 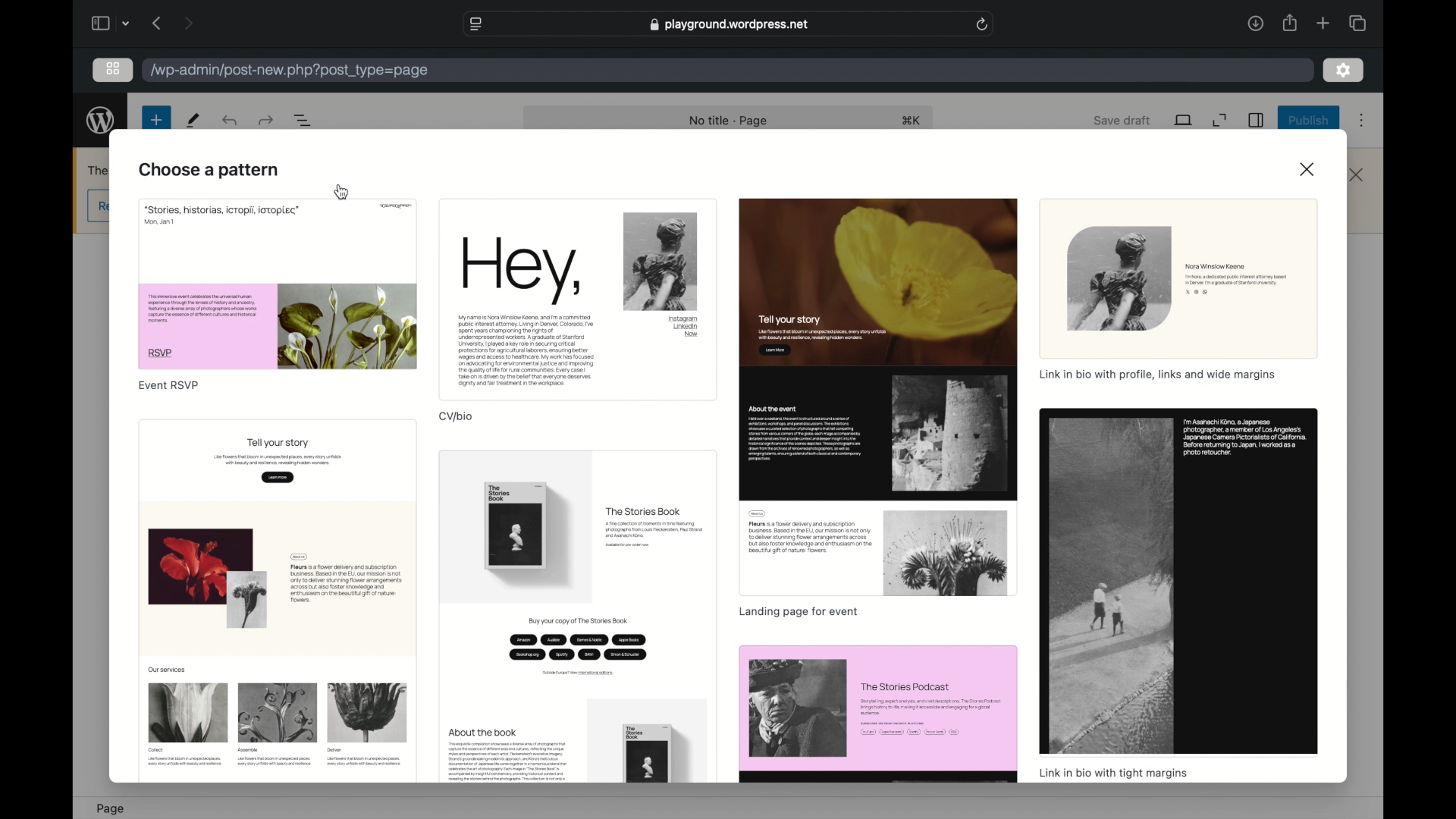 I want to click on preview, so click(x=278, y=601).